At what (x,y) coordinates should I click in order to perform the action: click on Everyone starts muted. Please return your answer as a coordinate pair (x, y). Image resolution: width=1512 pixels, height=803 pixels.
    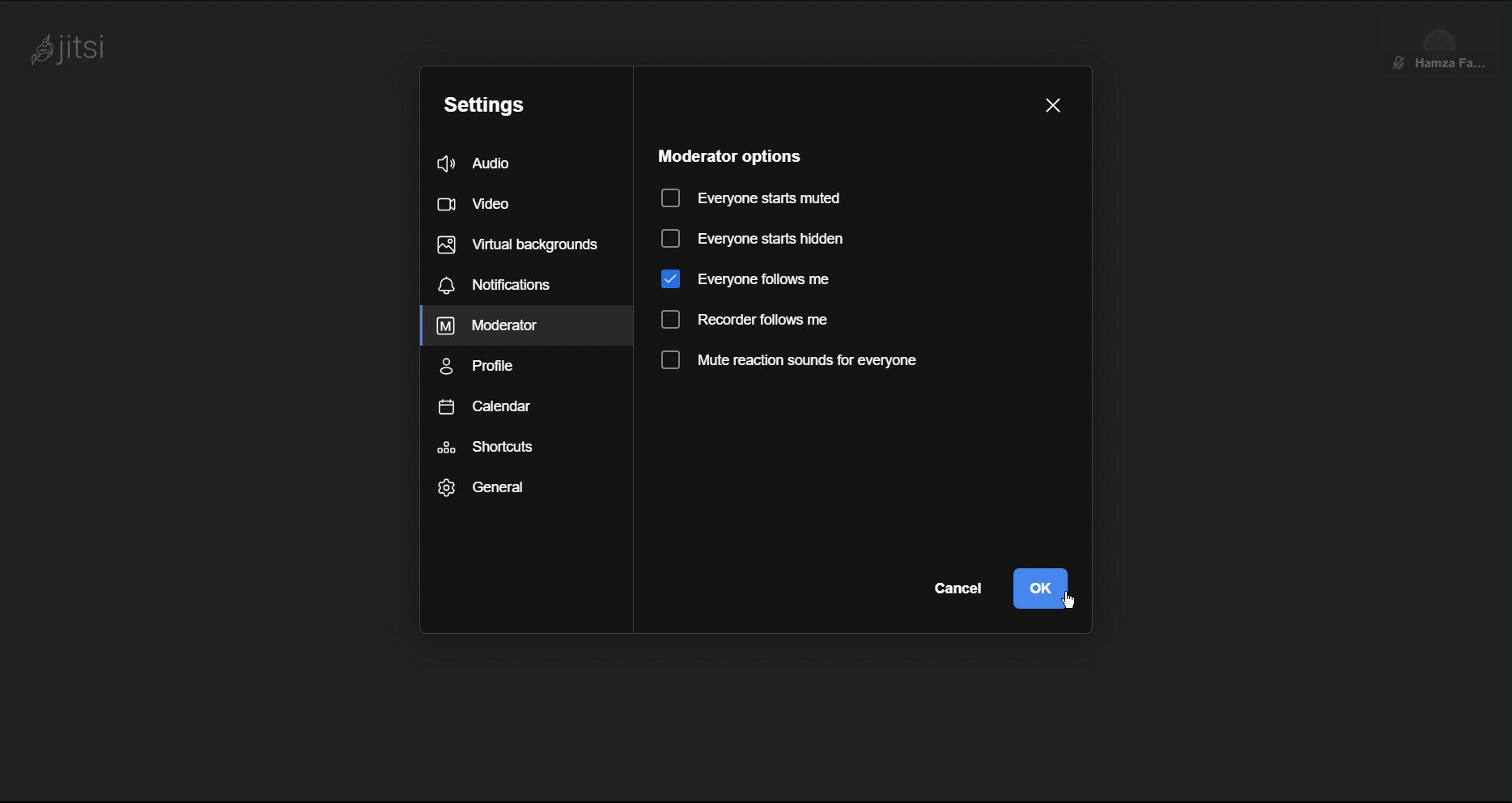
    Looking at the image, I should click on (750, 195).